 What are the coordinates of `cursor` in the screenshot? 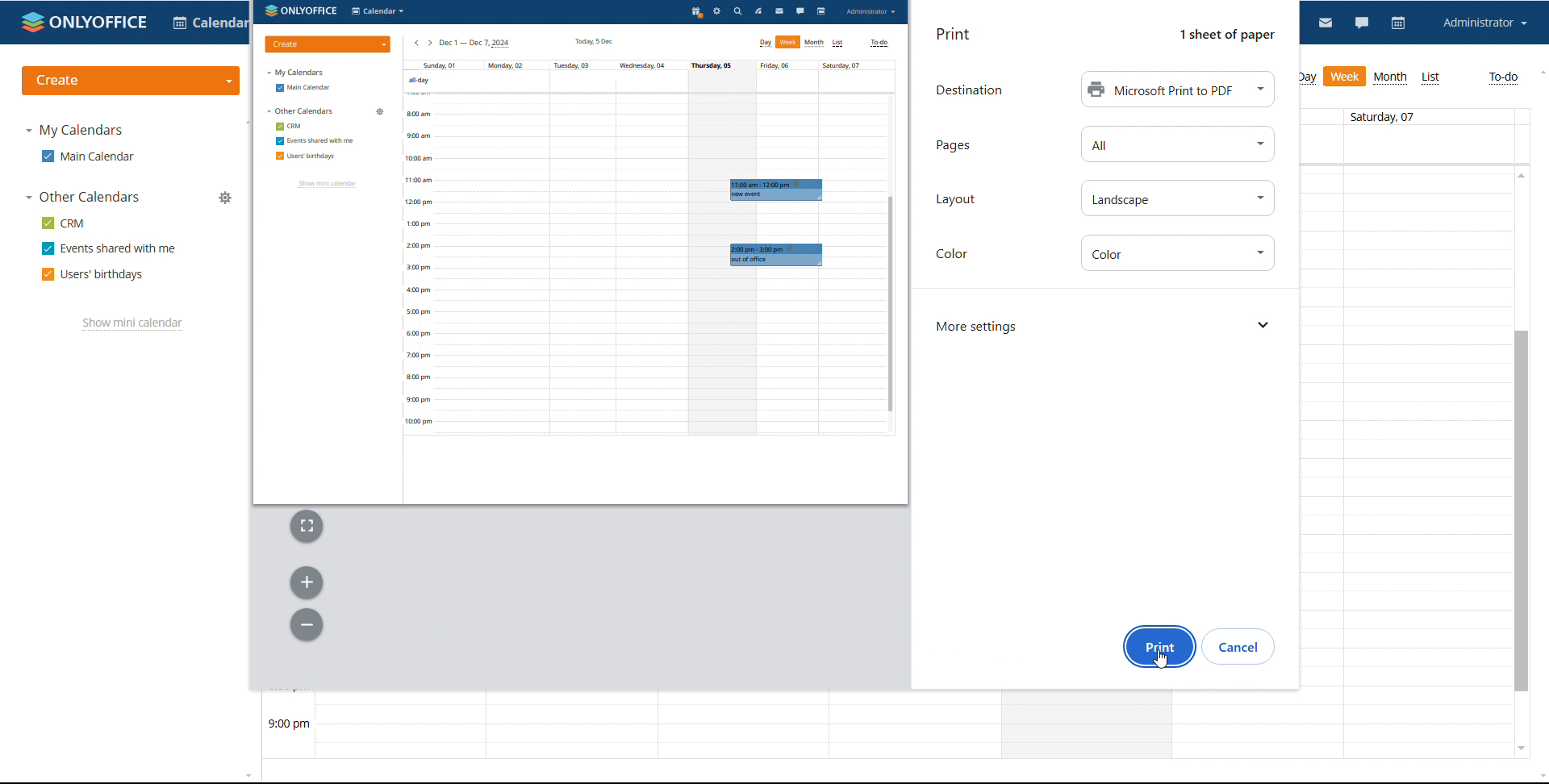 It's located at (1161, 661).